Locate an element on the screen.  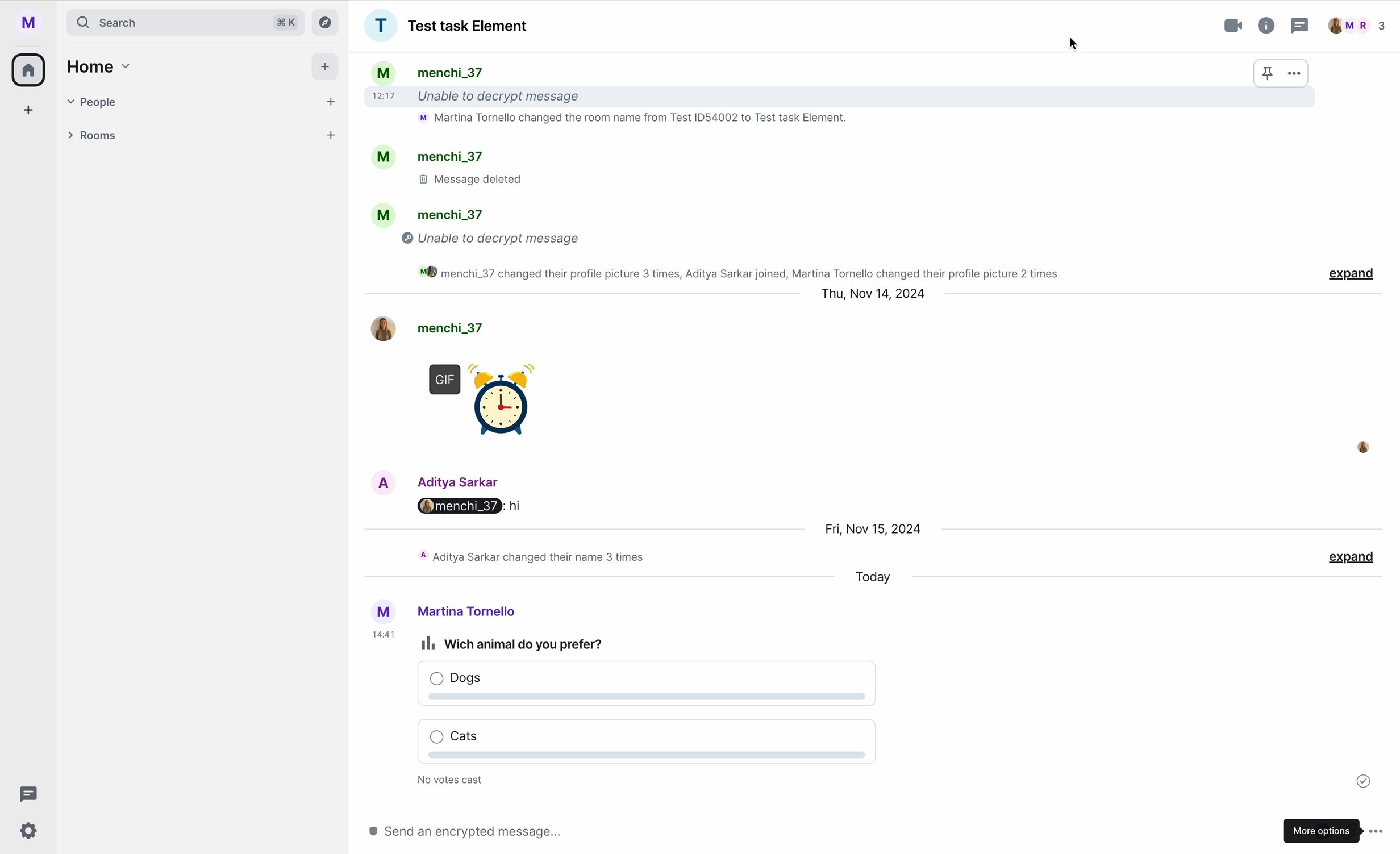
expand is located at coordinates (1352, 276).